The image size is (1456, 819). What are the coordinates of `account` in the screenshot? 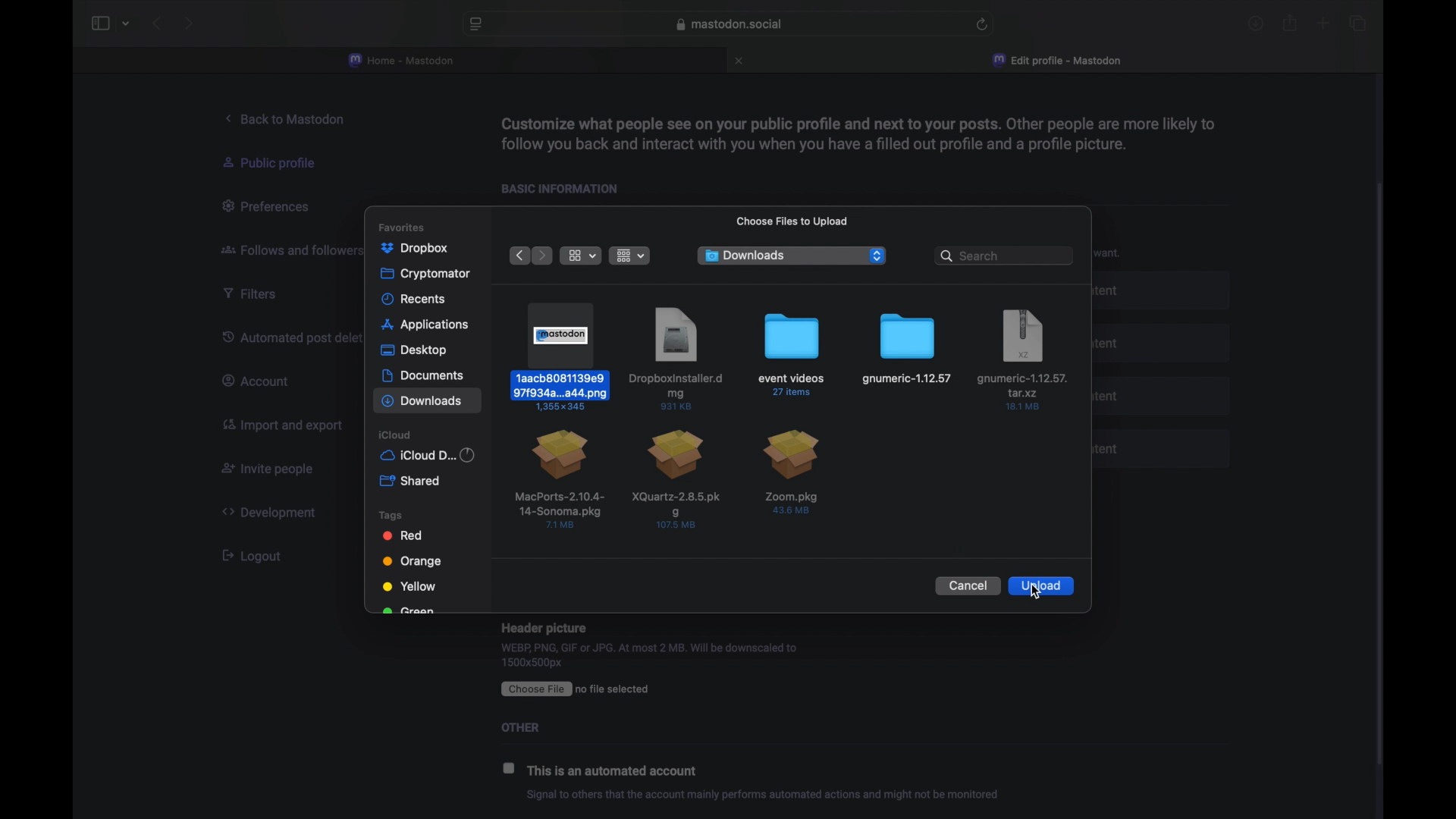 It's located at (260, 381).